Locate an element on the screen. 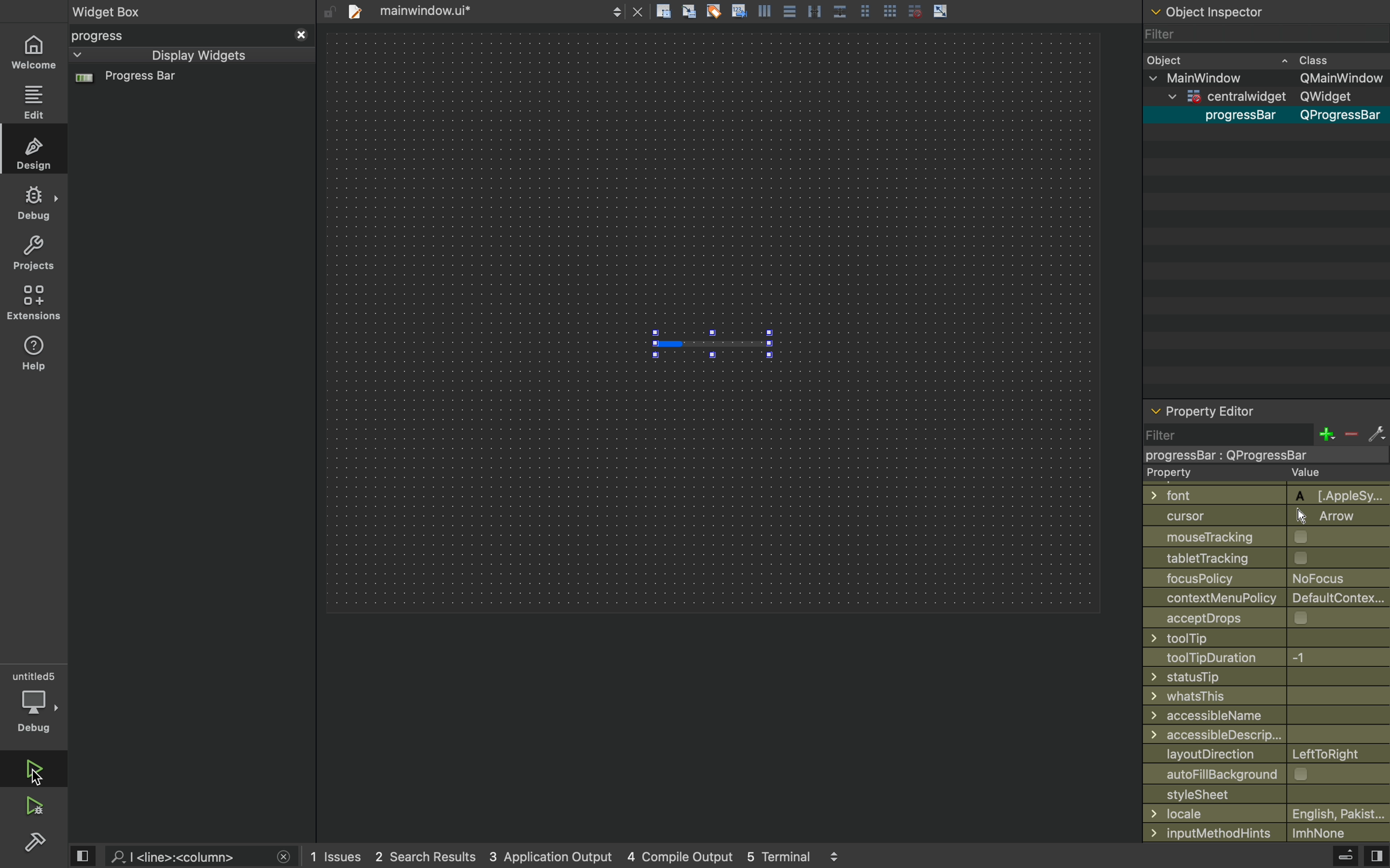 The image size is (1390, 868). run and build is located at coordinates (33, 806).